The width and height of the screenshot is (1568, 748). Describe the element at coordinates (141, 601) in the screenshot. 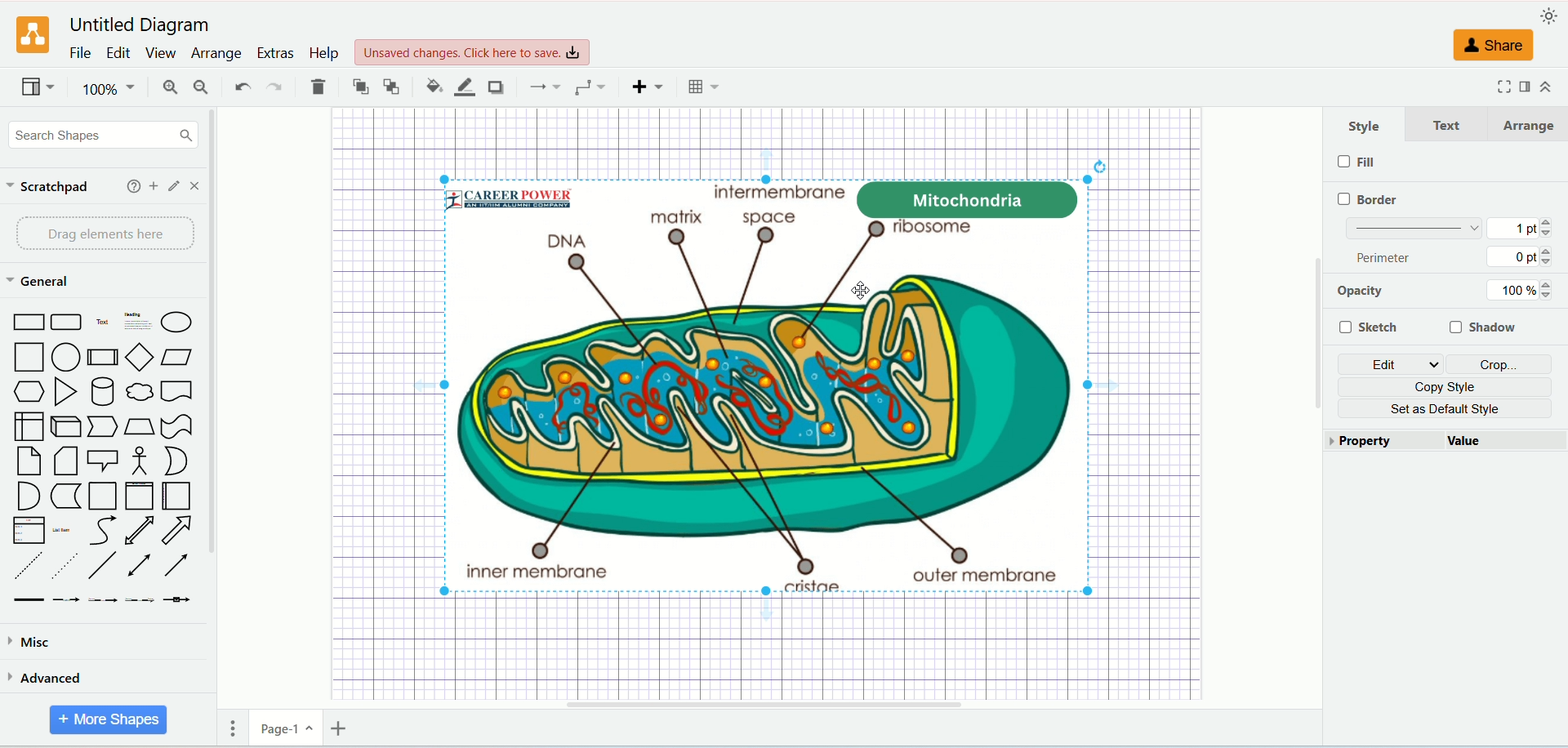

I see `Connector with 3 Labels` at that location.